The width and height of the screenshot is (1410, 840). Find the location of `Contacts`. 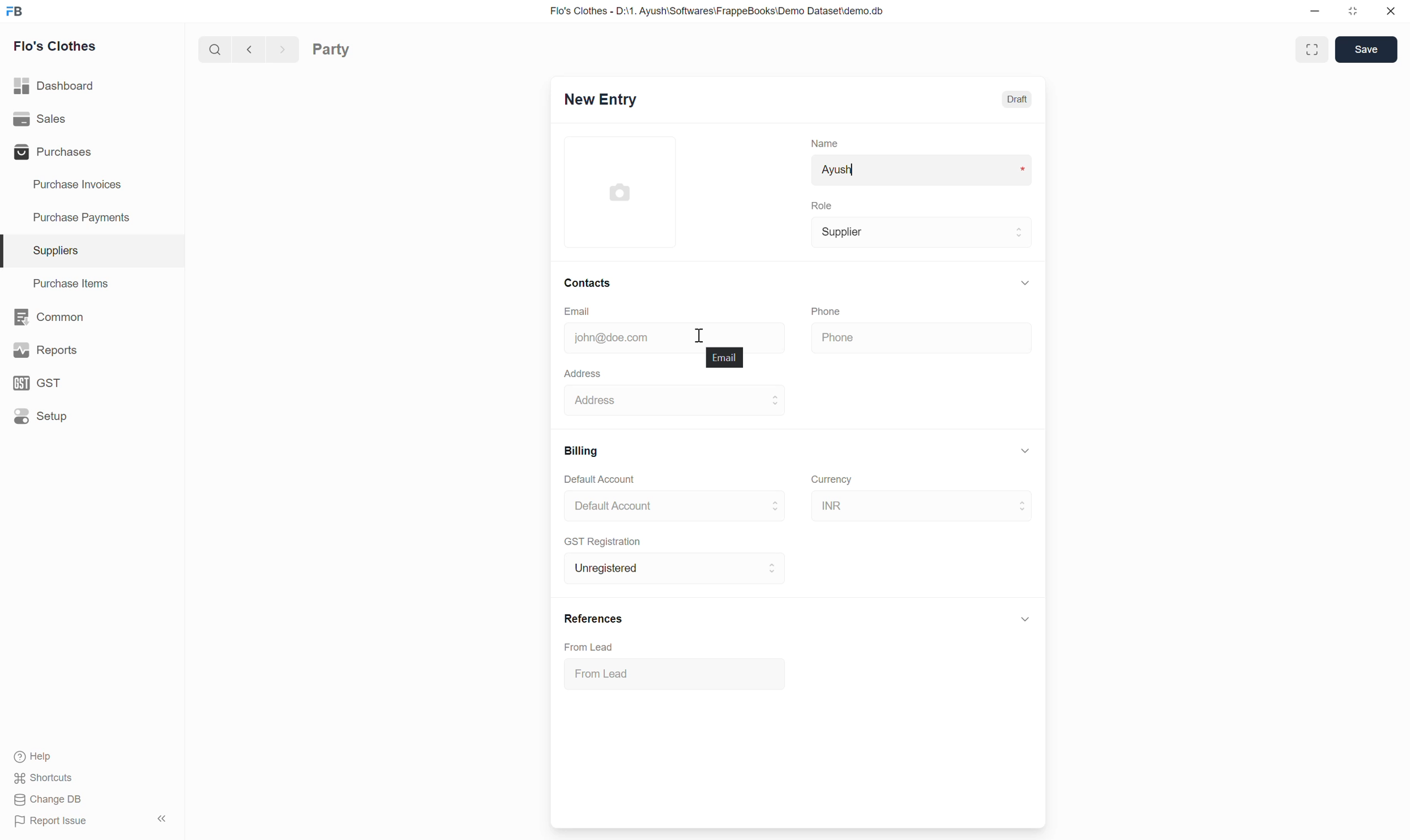

Contacts is located at coordinates (588, 283).